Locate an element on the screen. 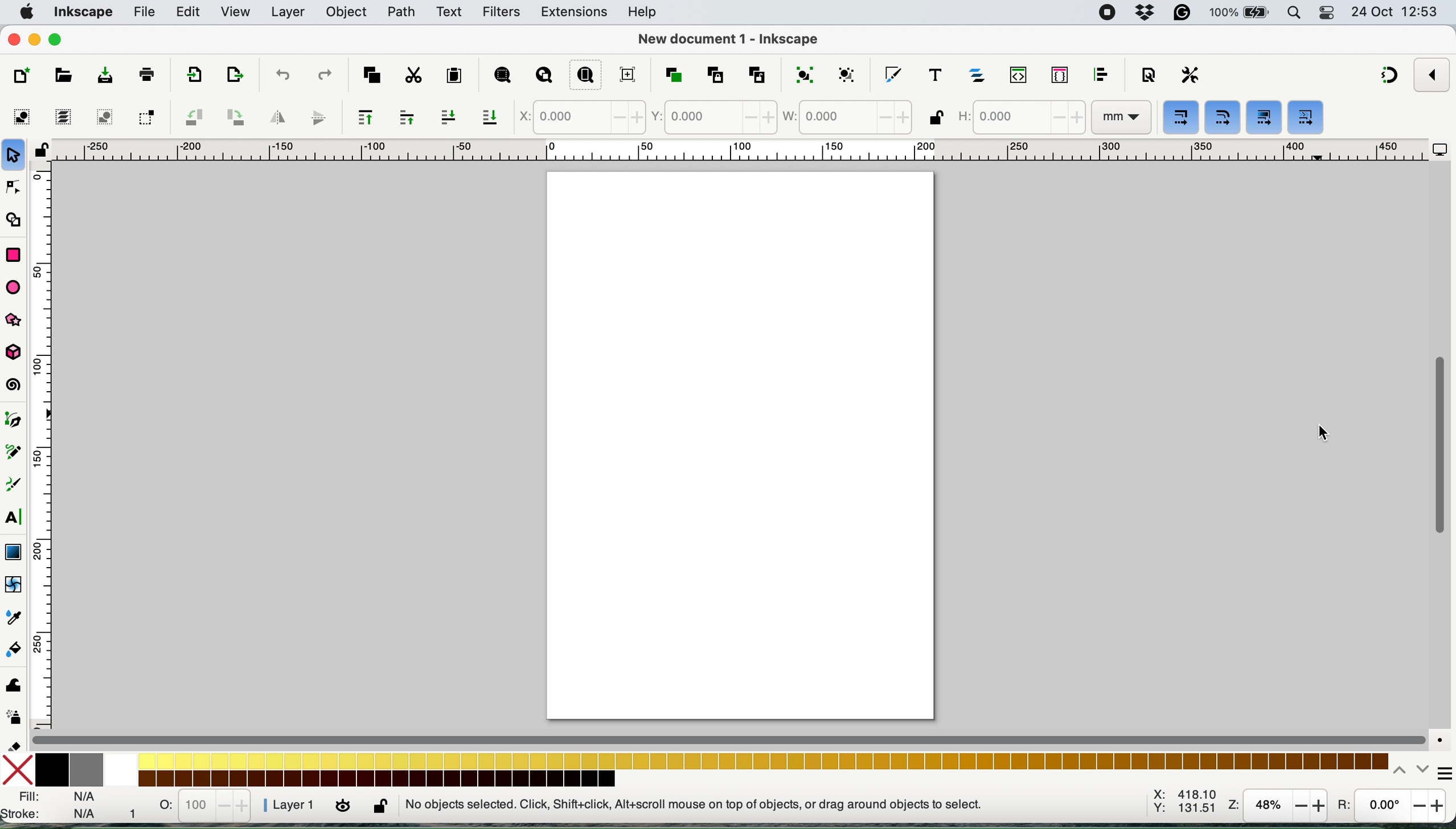 The image size is (1456, 829). Cursor is located at coordinates (1319, 433).